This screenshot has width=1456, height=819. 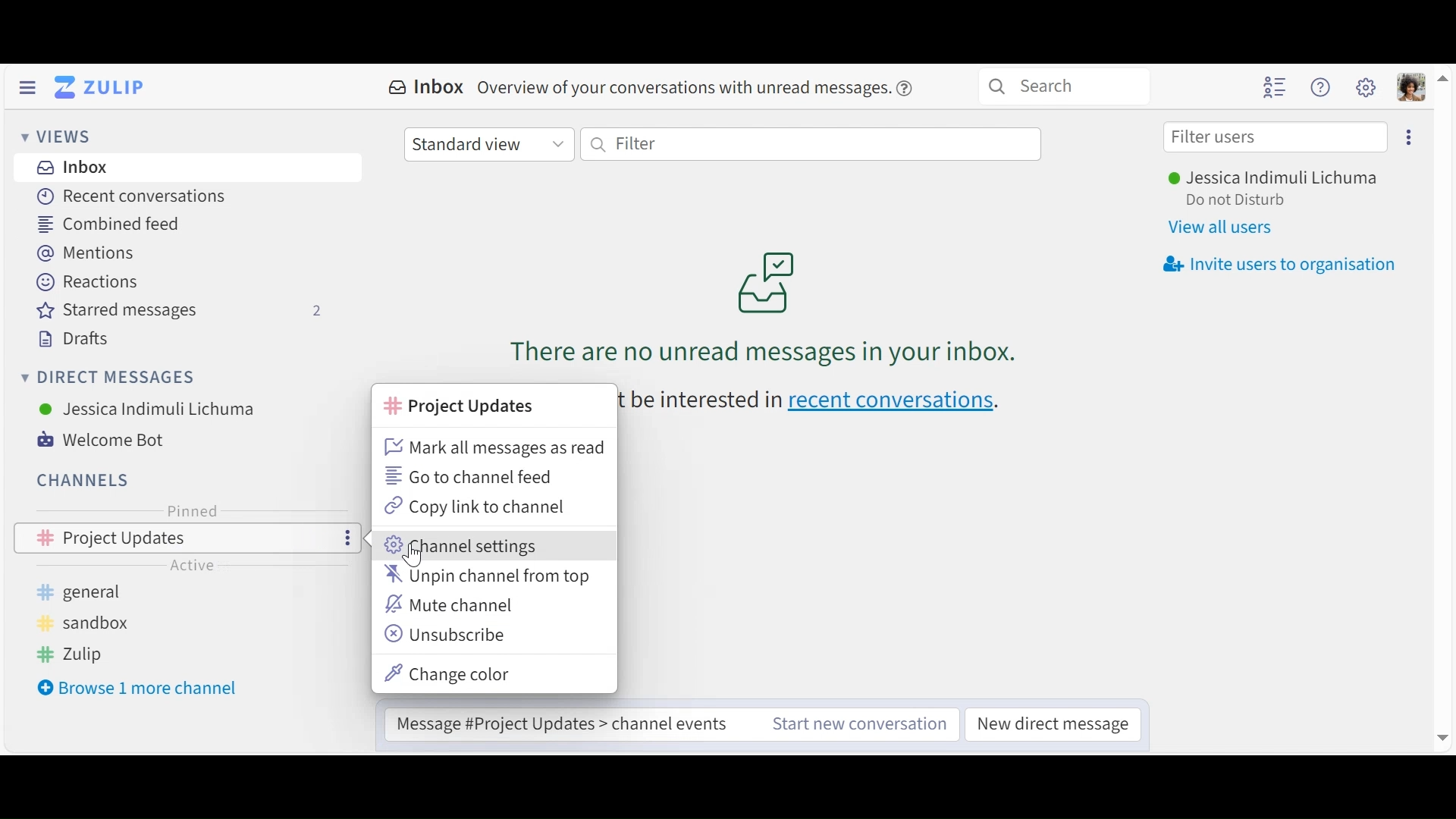 What do you see at coordinates (1444, 76) in the screenshot?
I see `Up` at bounding box center [1444, 76].